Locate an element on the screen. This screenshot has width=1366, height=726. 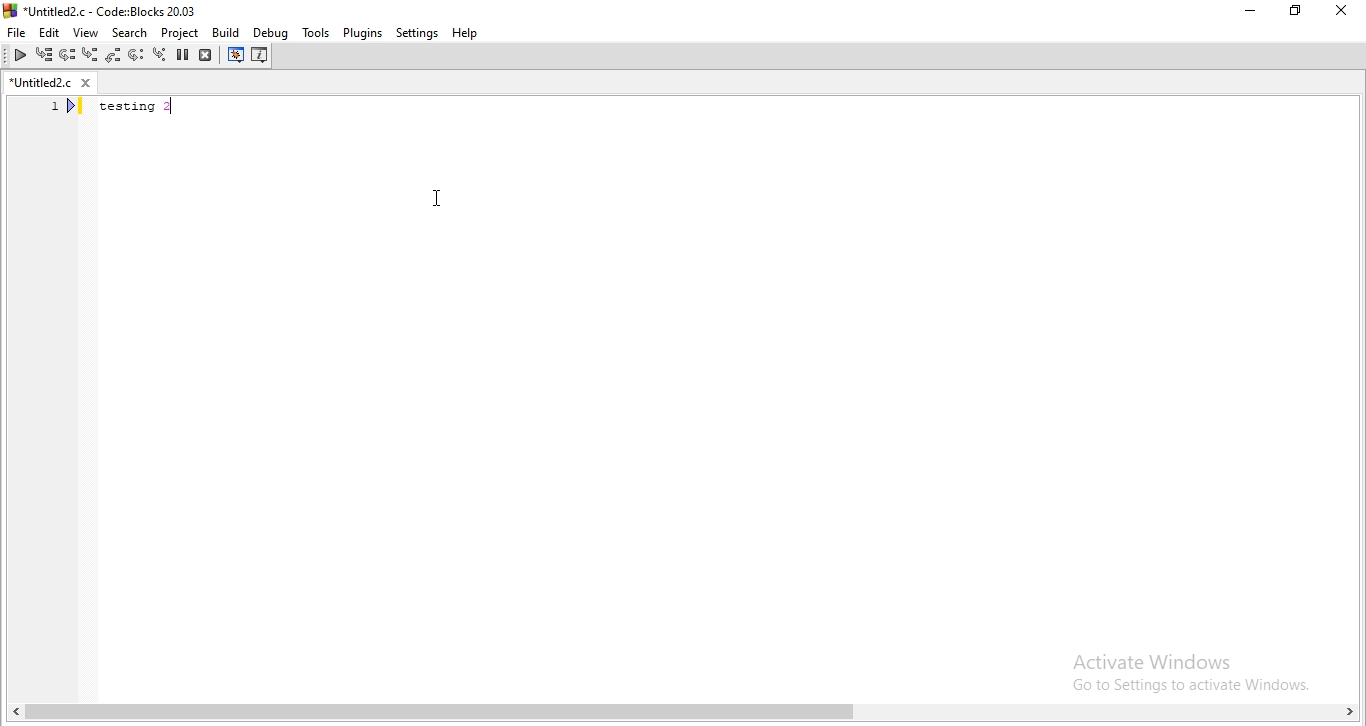
cursor is located at coordinates (438, 197).